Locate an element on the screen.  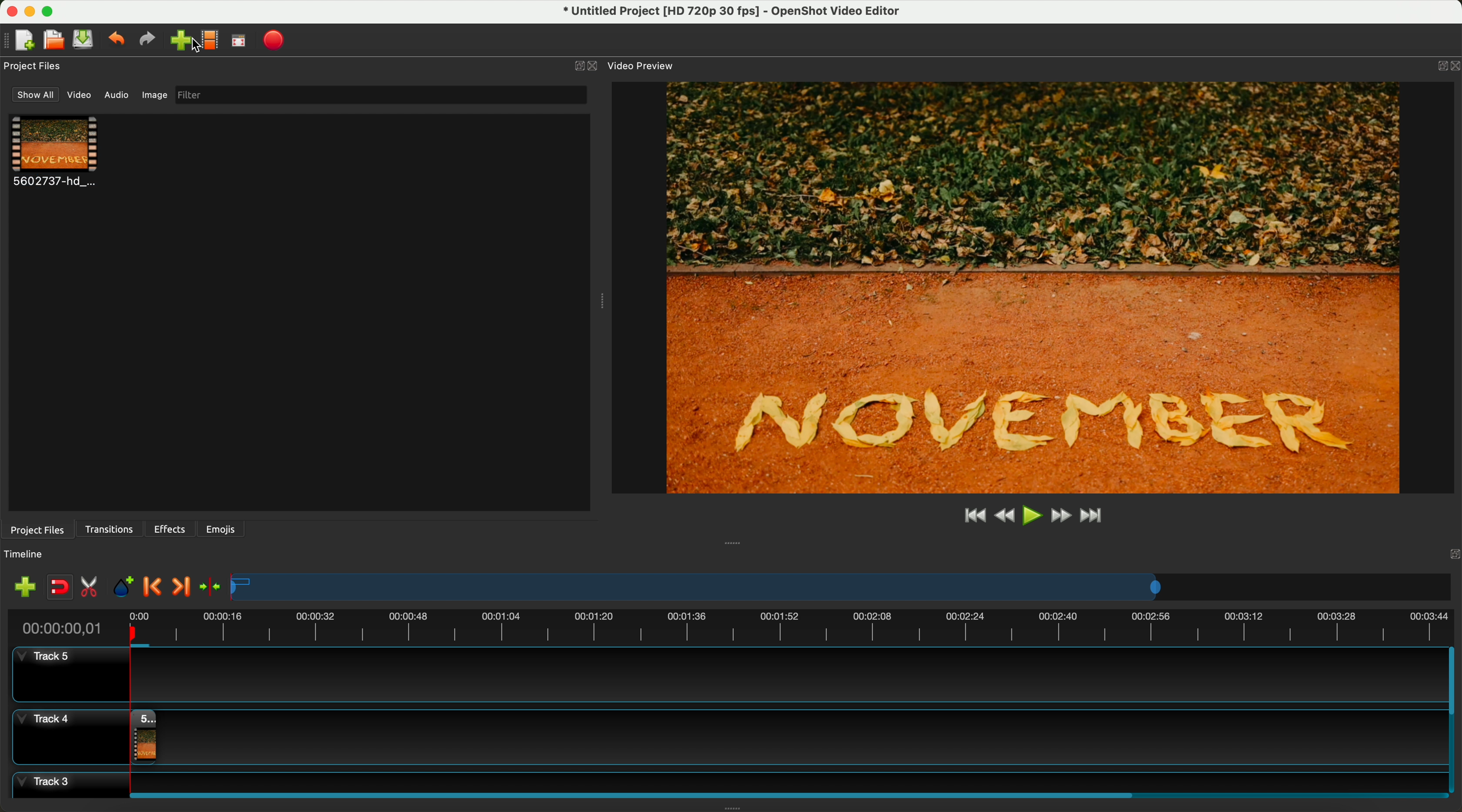
choose profile is located at coordinates (213, 42).